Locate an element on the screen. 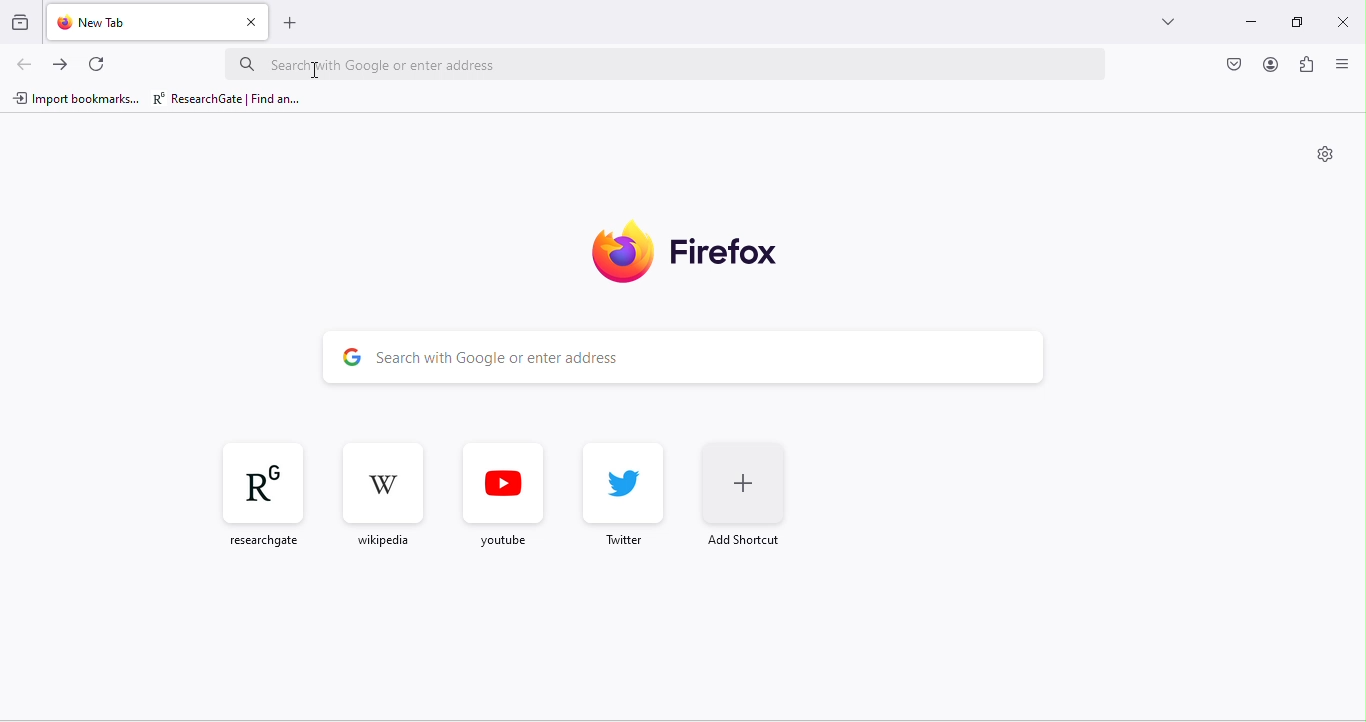 This screenshot has height=722, width=1366. new tab is located at coordinates (122, 21).